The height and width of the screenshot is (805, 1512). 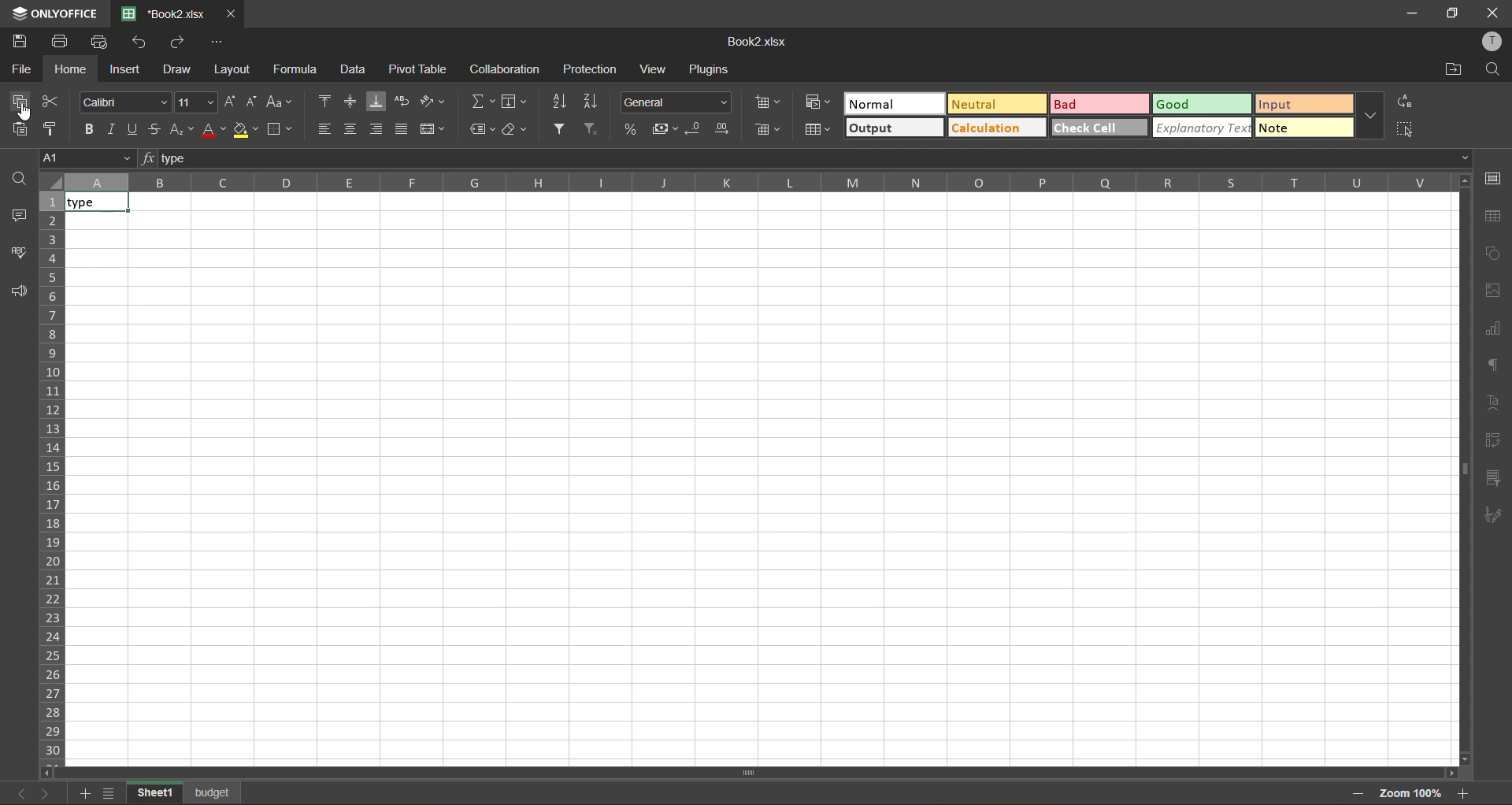 What do you see at coordinates (712, 69) in the screenshot?
I see `plugins` at bounding box center [712, 69].